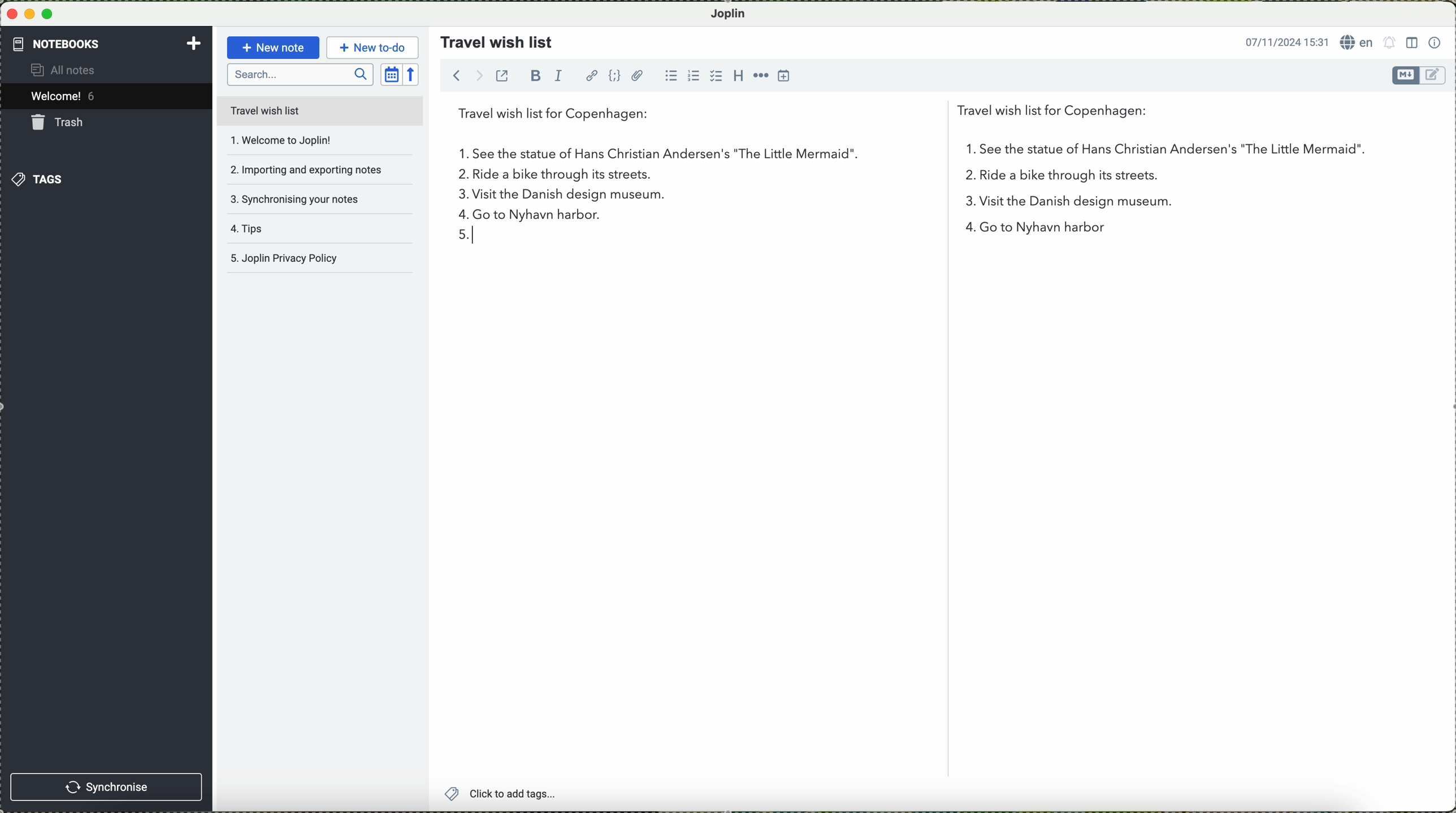 The image size is (1456, 813). I want to click on new to-do, so click(372, 46).